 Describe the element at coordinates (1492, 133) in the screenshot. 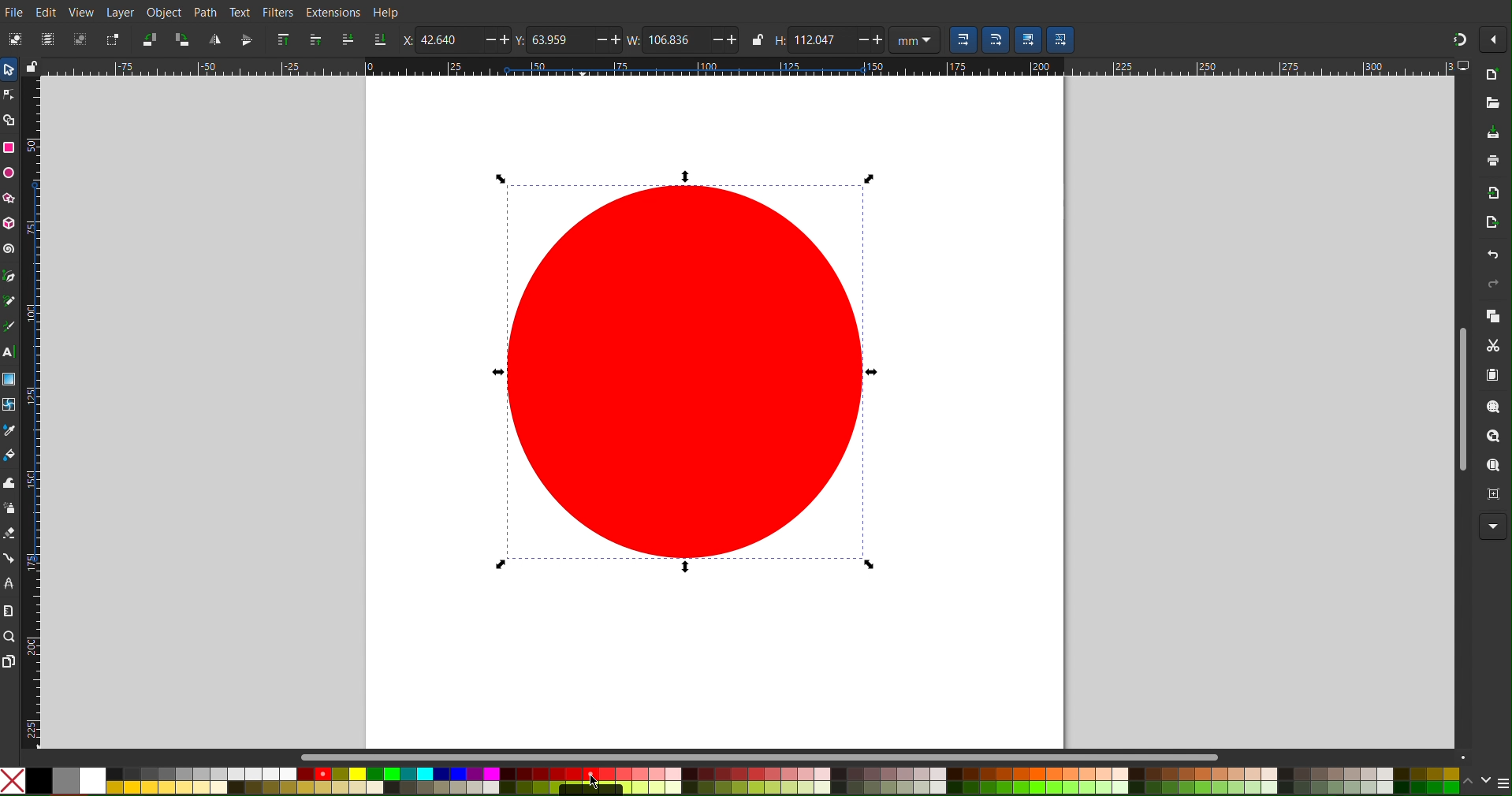

I see `Save` at that location.